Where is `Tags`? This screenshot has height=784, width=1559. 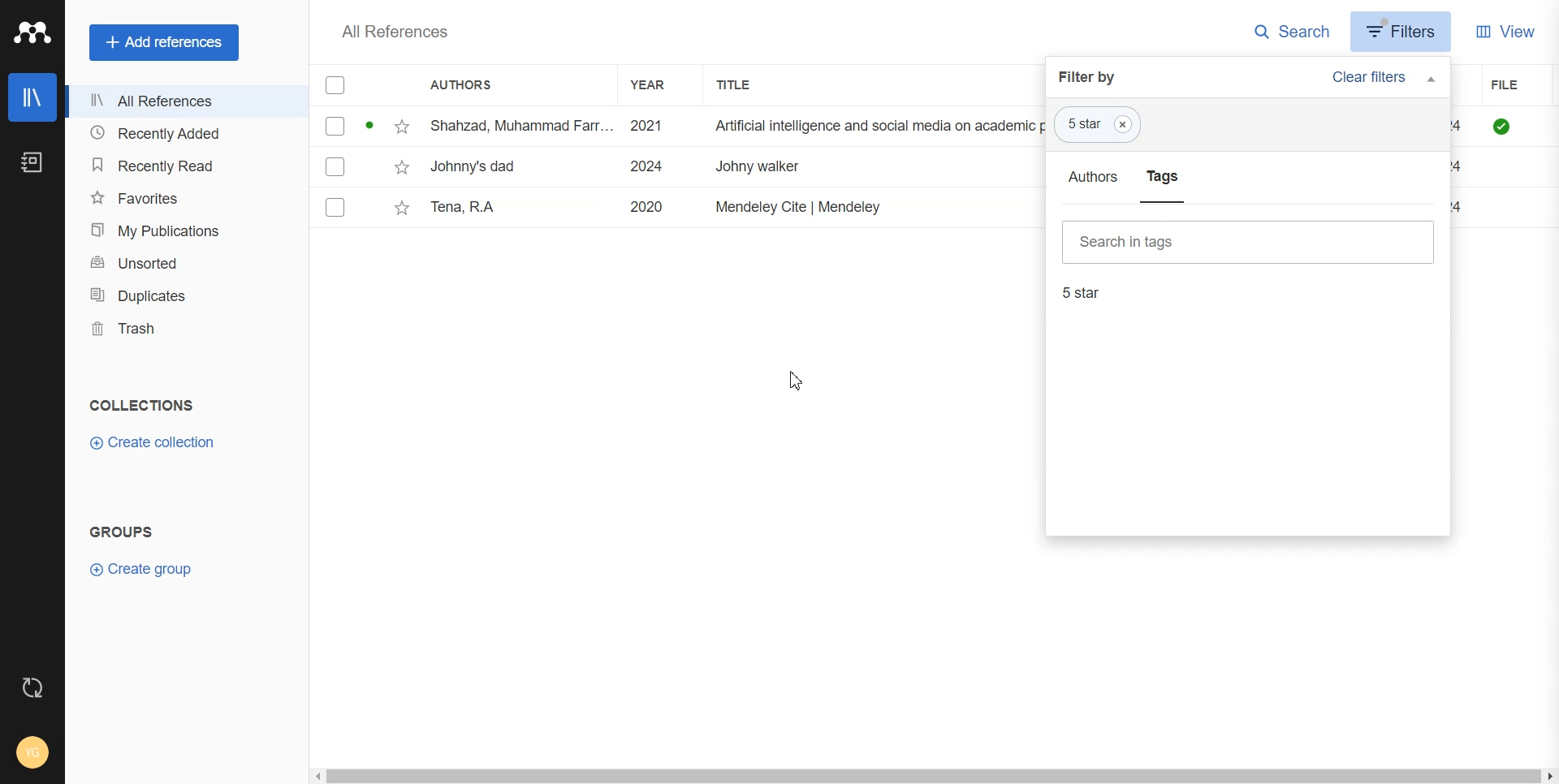 Tags is located at coordinates (1166, 175).